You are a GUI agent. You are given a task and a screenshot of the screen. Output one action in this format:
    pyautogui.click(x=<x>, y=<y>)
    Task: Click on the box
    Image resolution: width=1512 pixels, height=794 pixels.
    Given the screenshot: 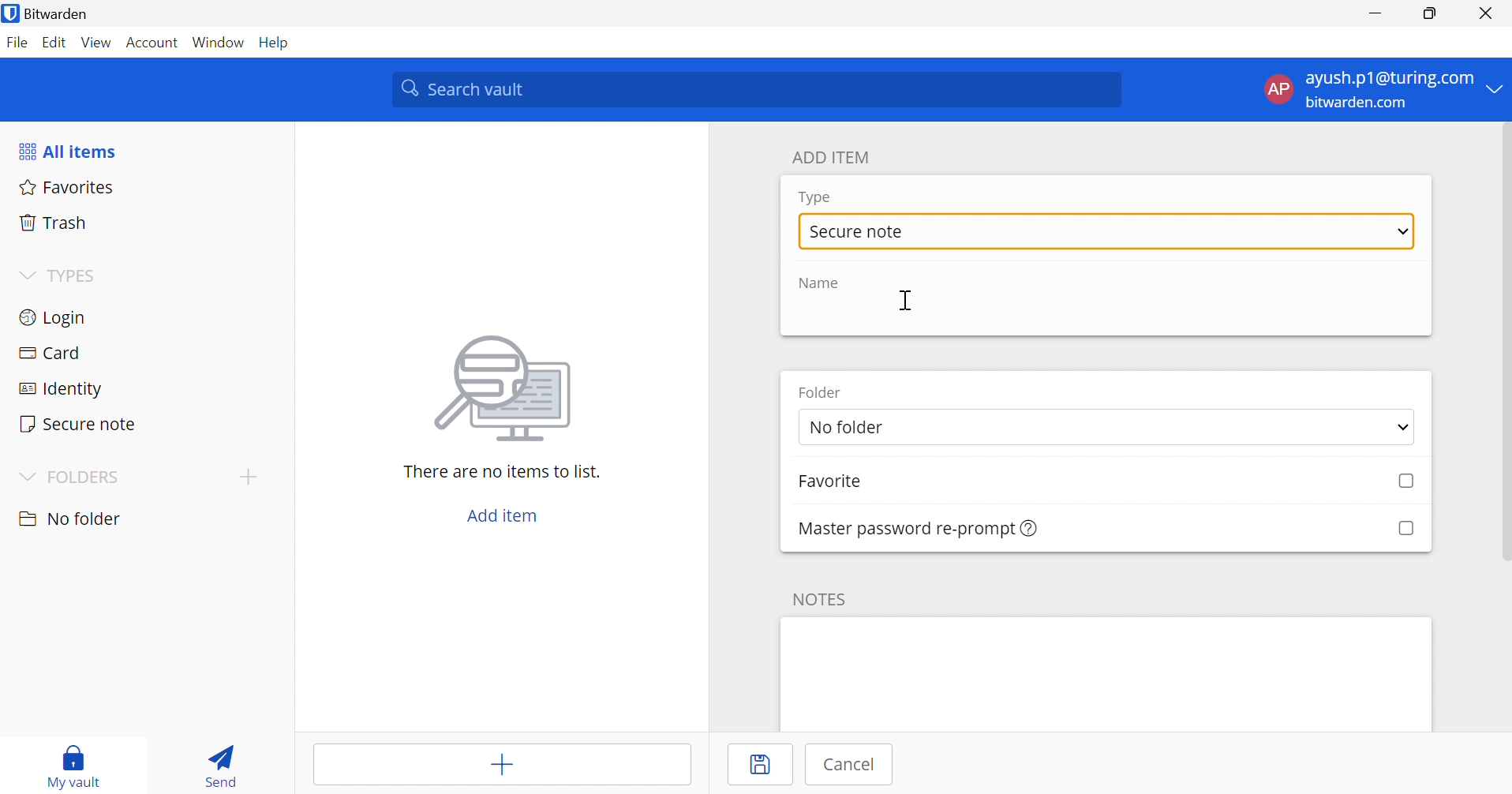 What is the action you would take?
    pyautogui.click(x=1405, y=527)
    